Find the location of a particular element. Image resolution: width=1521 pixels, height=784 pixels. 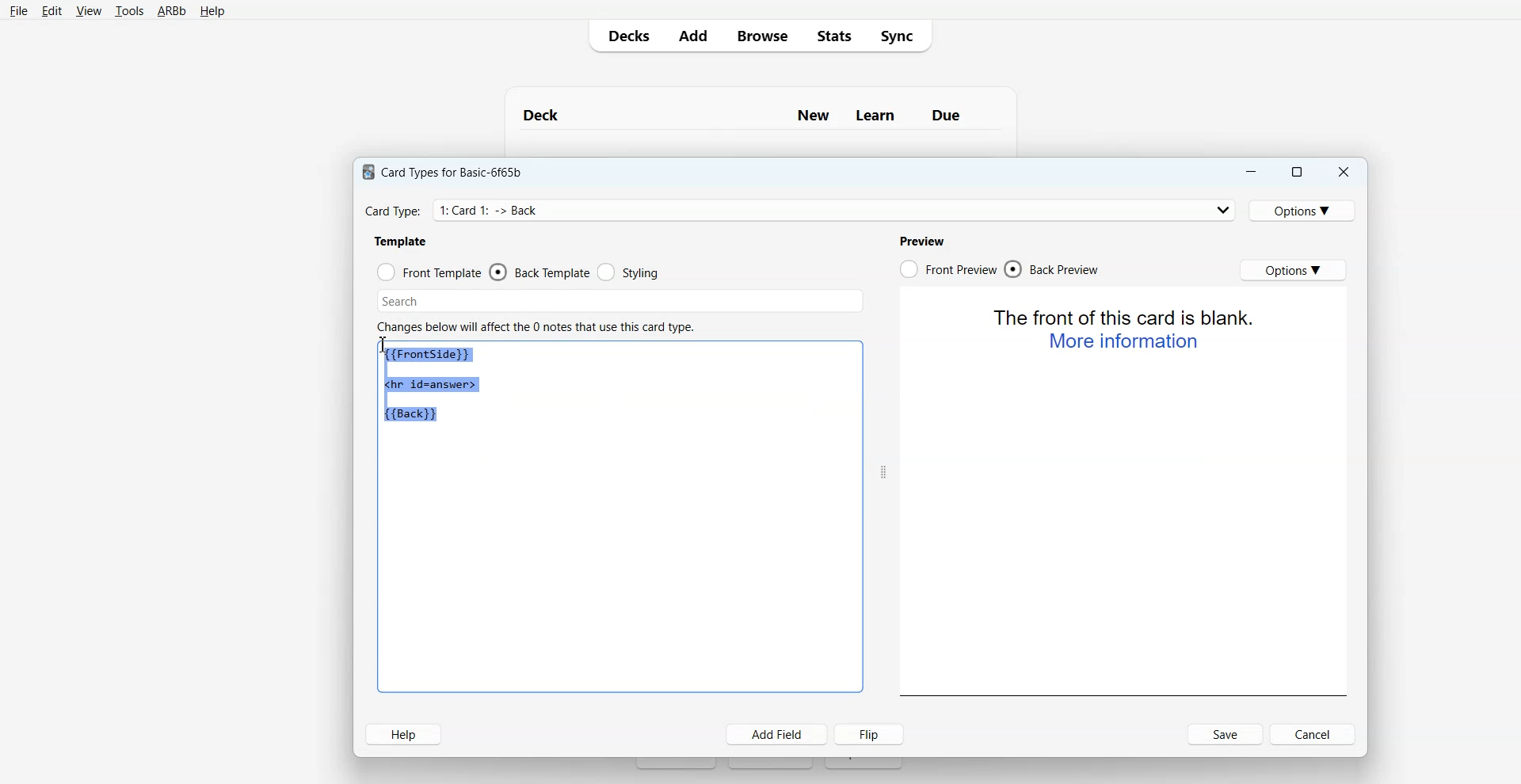

Add is located at coordinates (692, 36).